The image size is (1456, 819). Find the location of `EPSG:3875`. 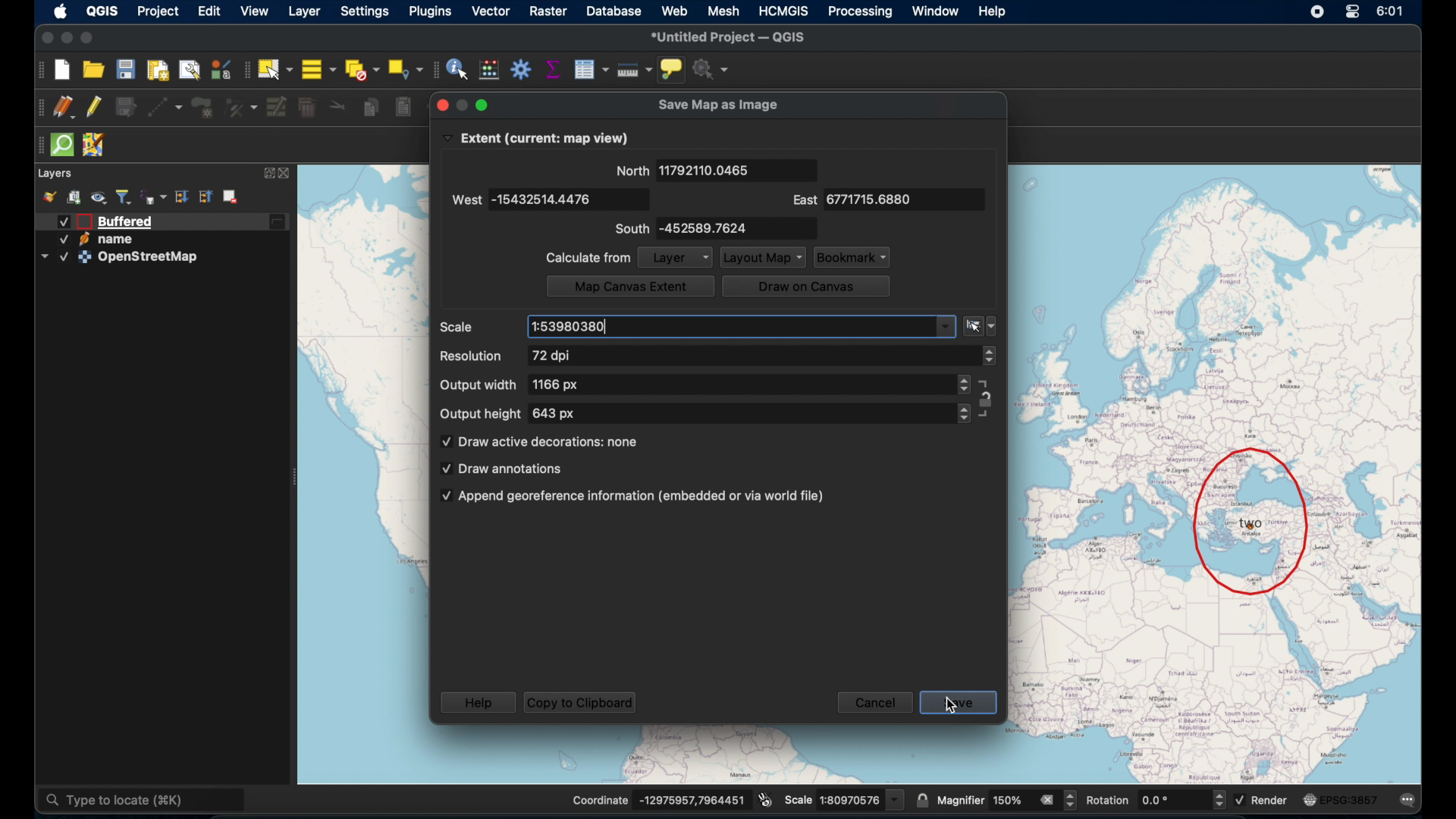

EPSG:3875 is located at coordinates (1351, 800).